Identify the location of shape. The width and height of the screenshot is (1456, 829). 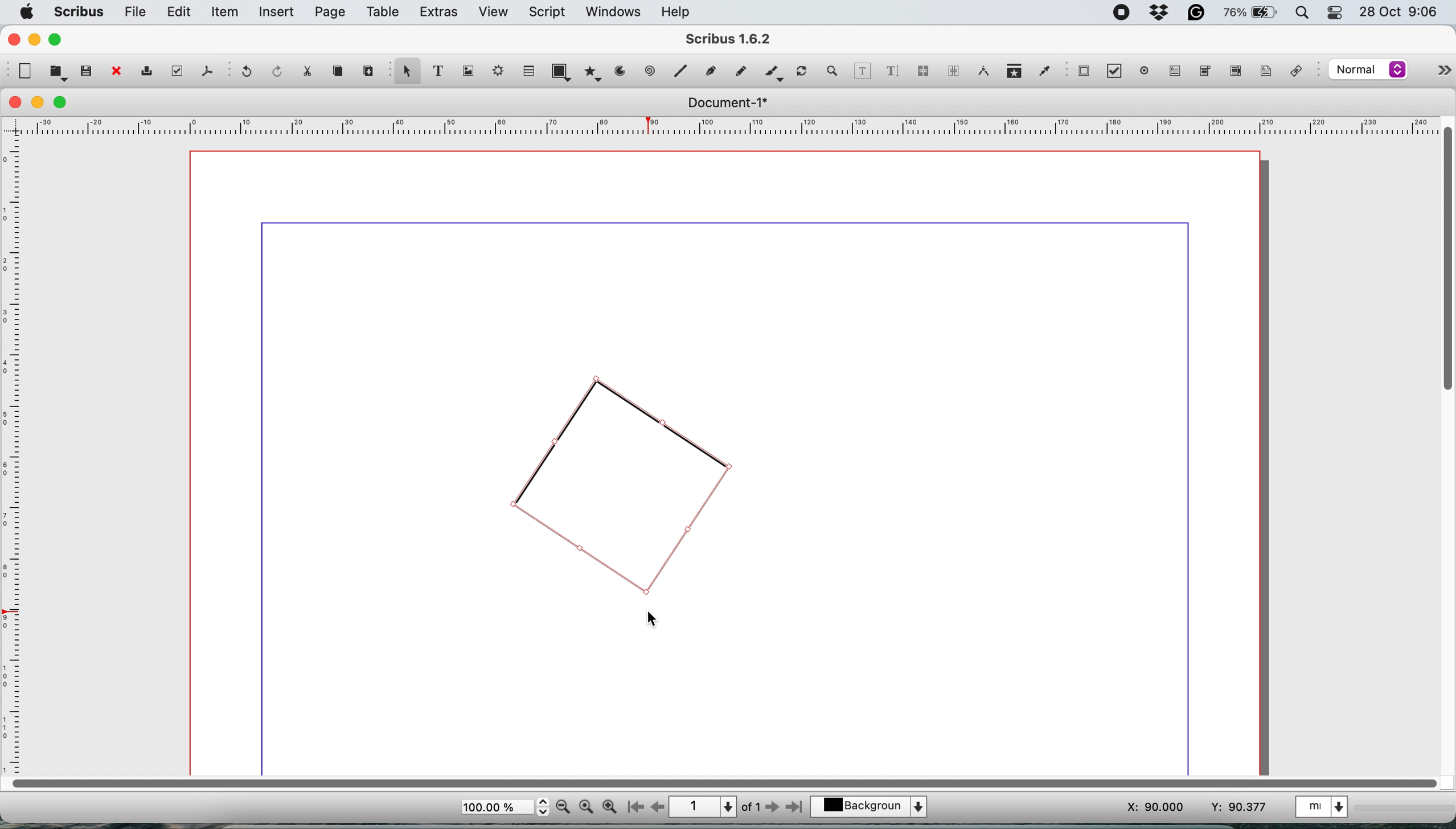
(561, 71).